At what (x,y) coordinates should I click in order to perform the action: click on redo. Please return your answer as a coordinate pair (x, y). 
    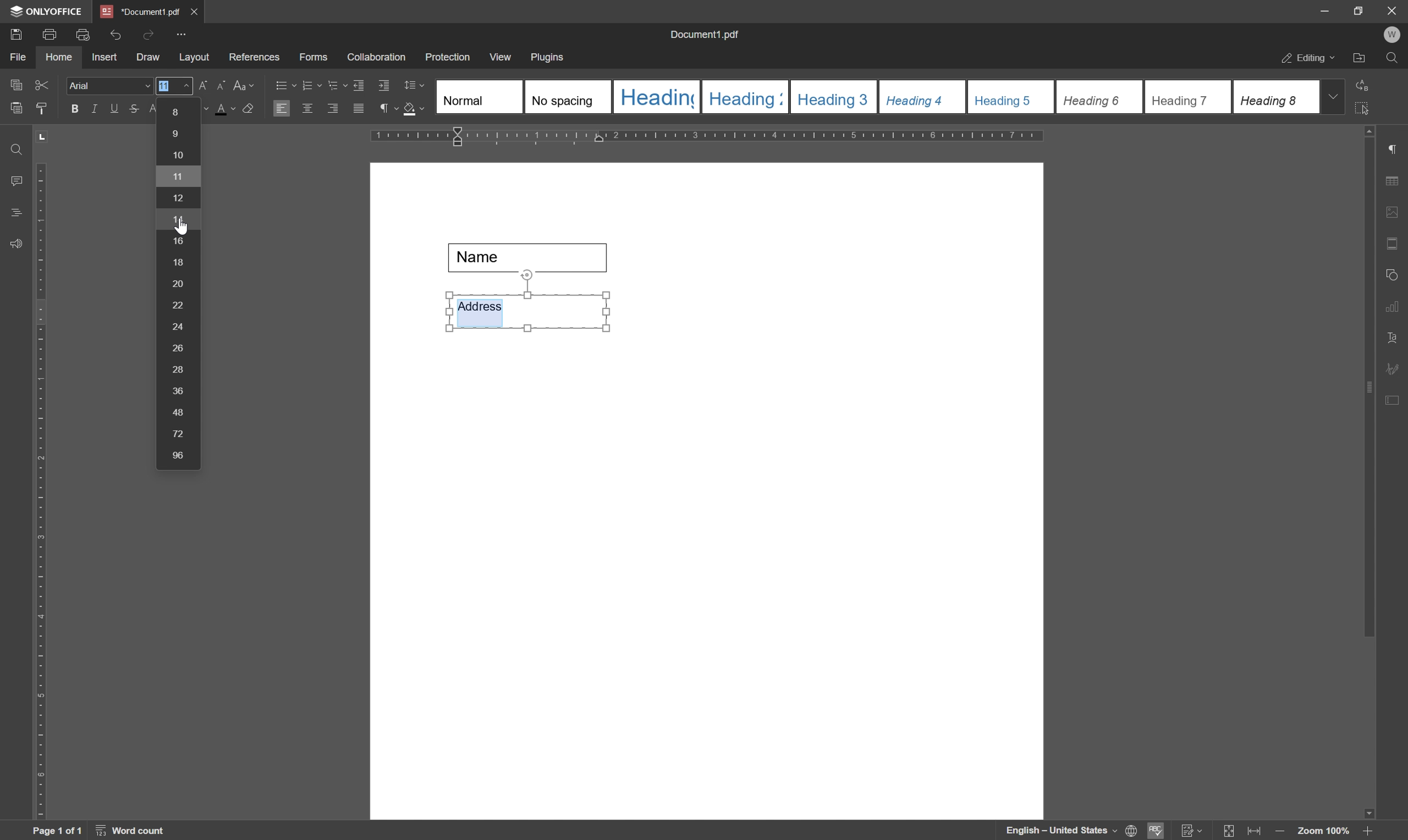
    Looking at the image, I should click on (148, 33).